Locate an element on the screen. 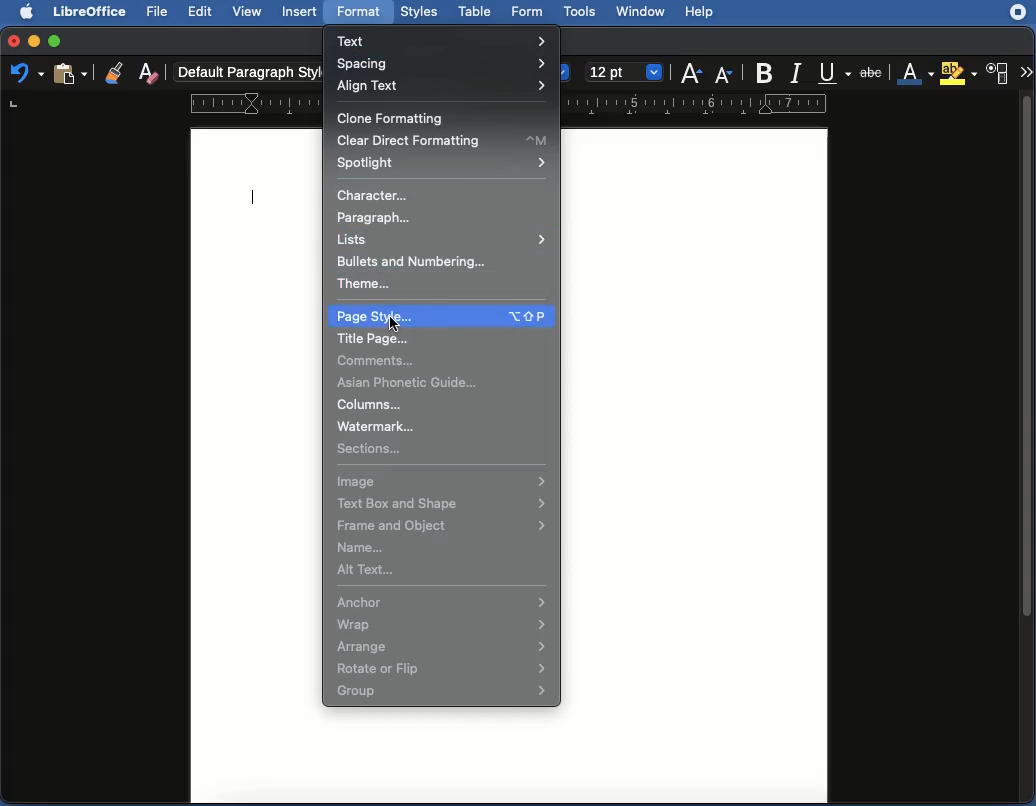 This screenshot has width=1036, height=806. Bullets and numbering is located at coordinates (418, 263).